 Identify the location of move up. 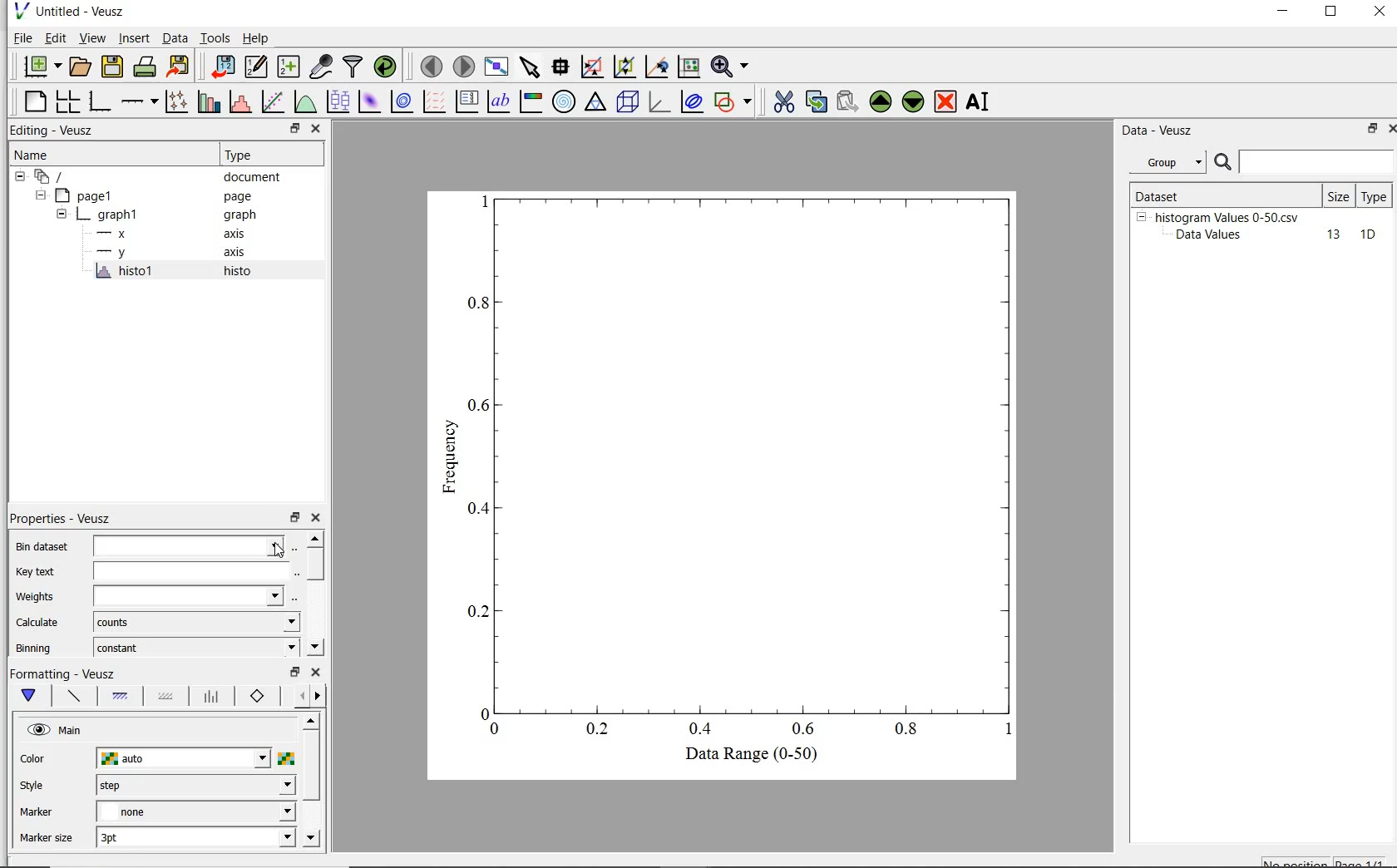
(314, 538).